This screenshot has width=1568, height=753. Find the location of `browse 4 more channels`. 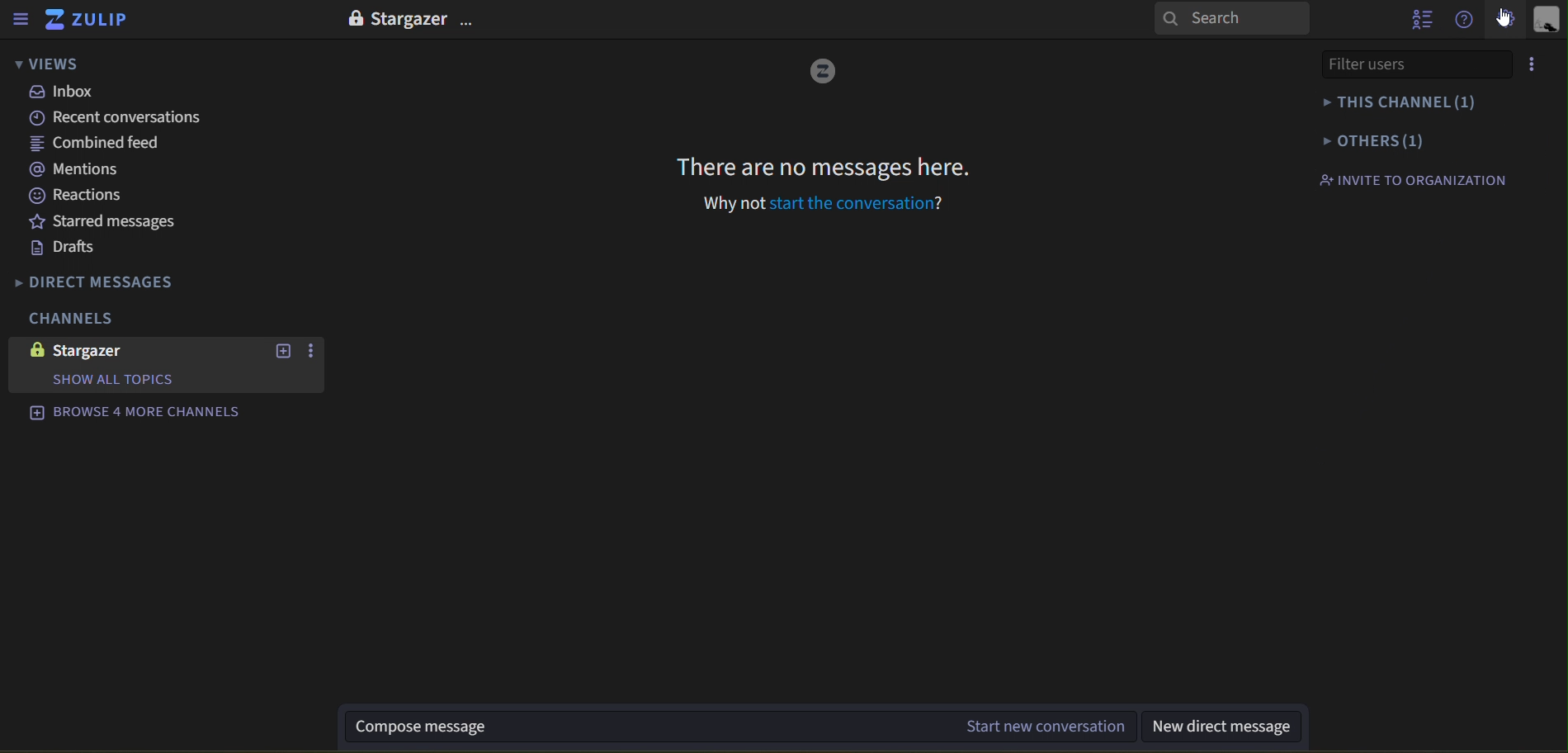

browse 4 more channels is located at coordinates (144, 413).